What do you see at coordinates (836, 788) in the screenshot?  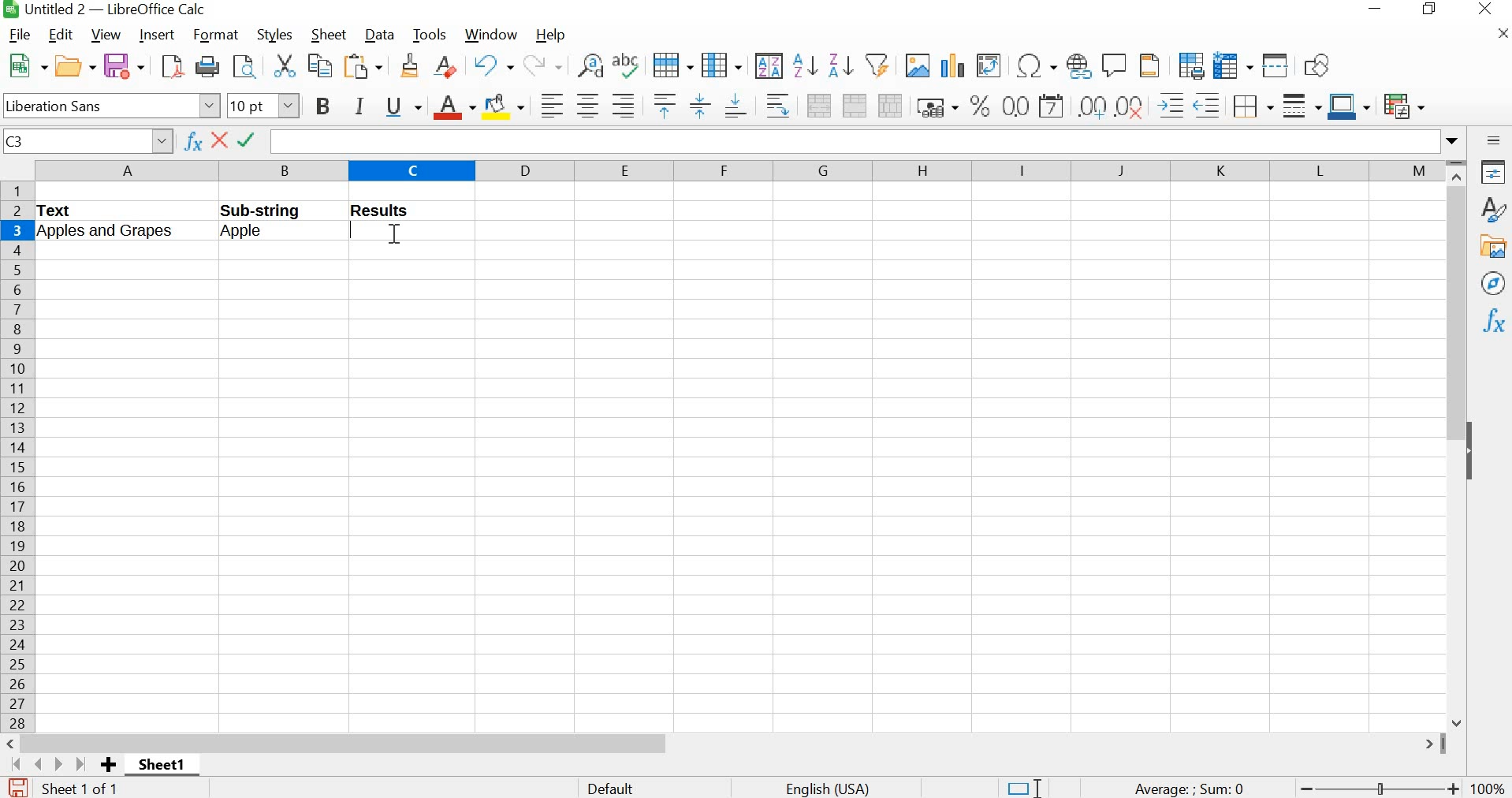 I see `text language` at bounding box center [836, 788].